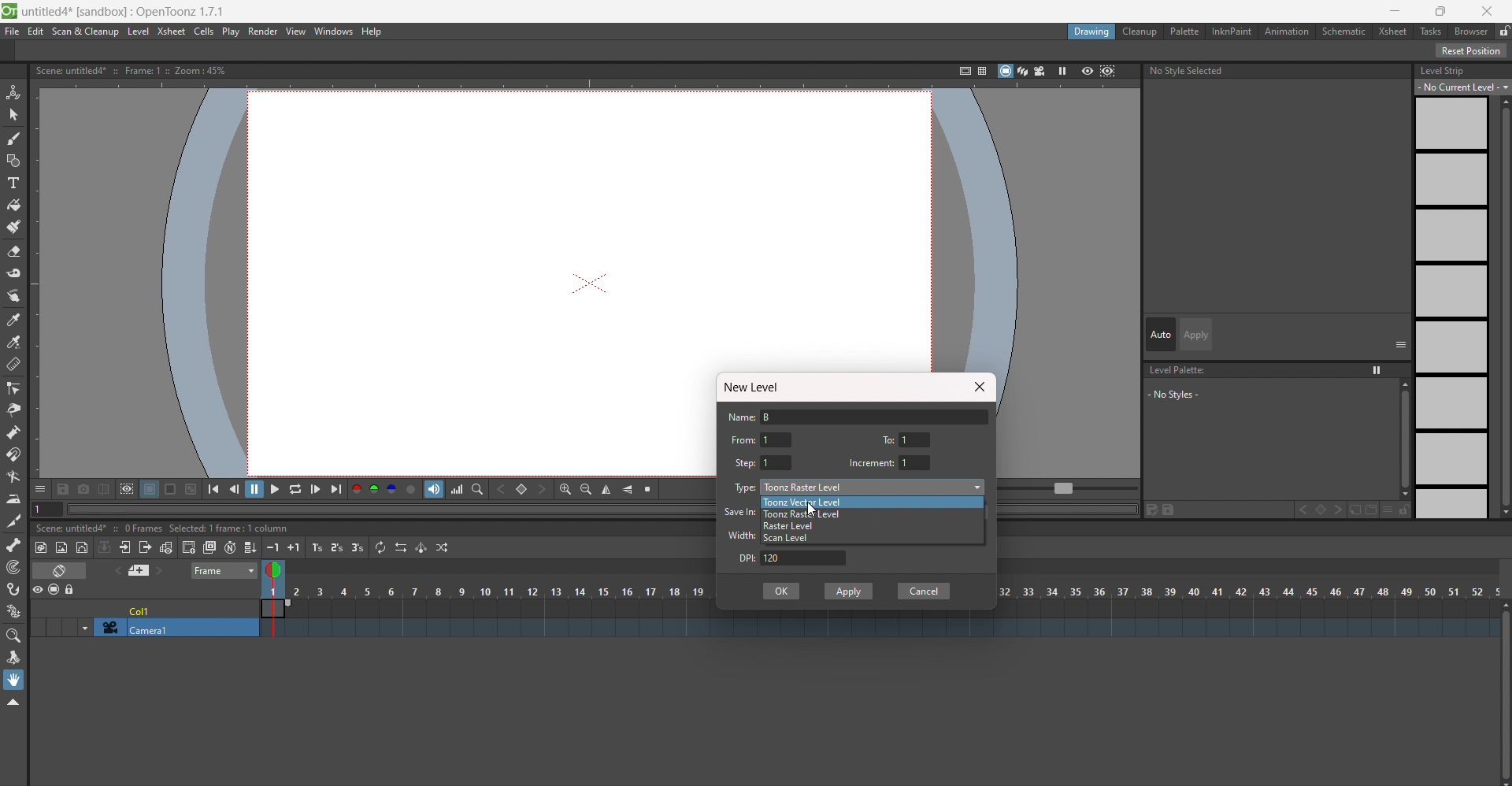 Image resolution: width=1512 pixels, height=786 pixels. What do you see at coordinates (781, 591) in the screenshot?
I see `ok` at bounding box center [781, 591].